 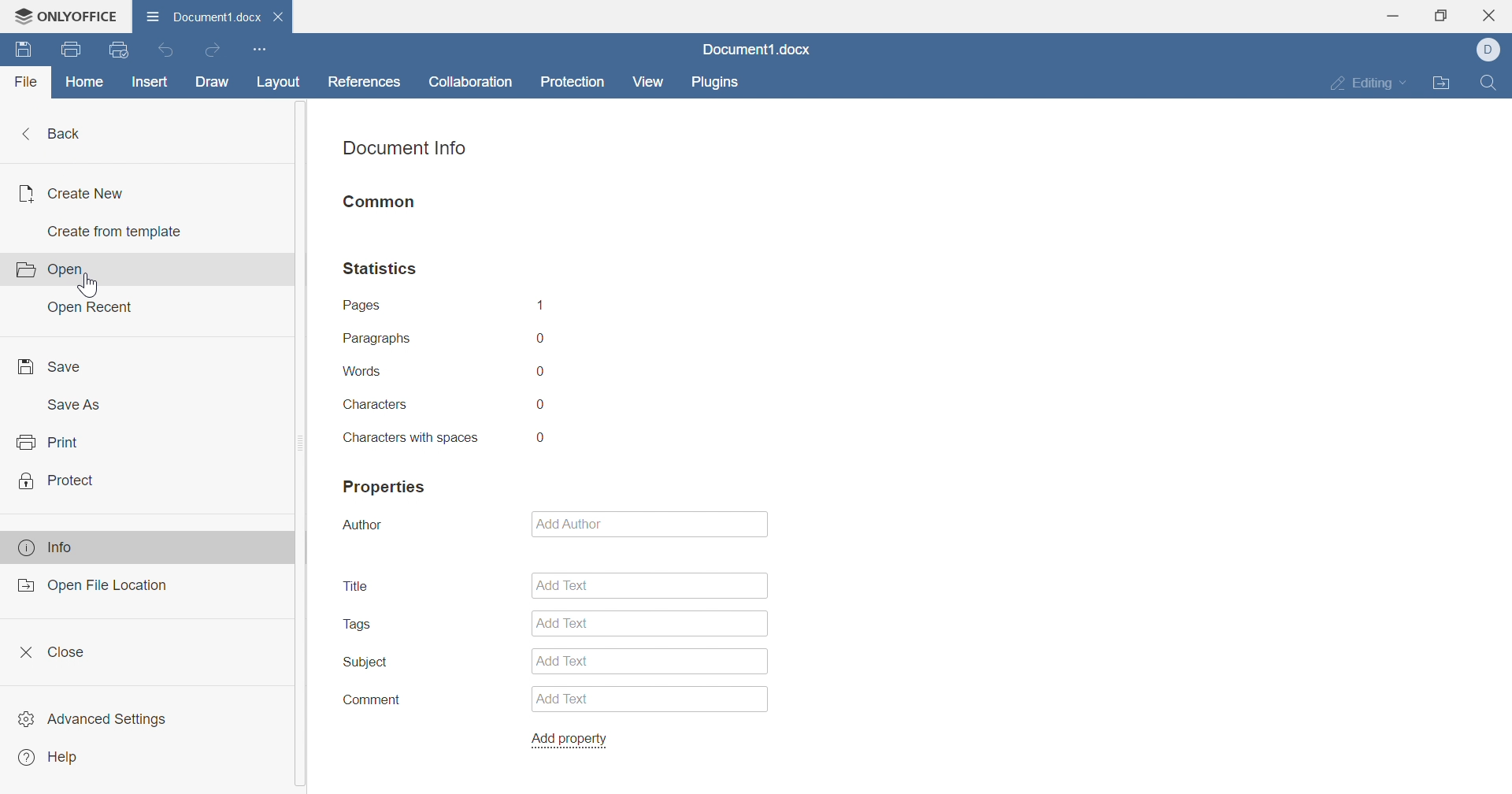 What do you see at coordinates (83, 83) in the screenshot?
I see `home` at bounding box center [83, 83].